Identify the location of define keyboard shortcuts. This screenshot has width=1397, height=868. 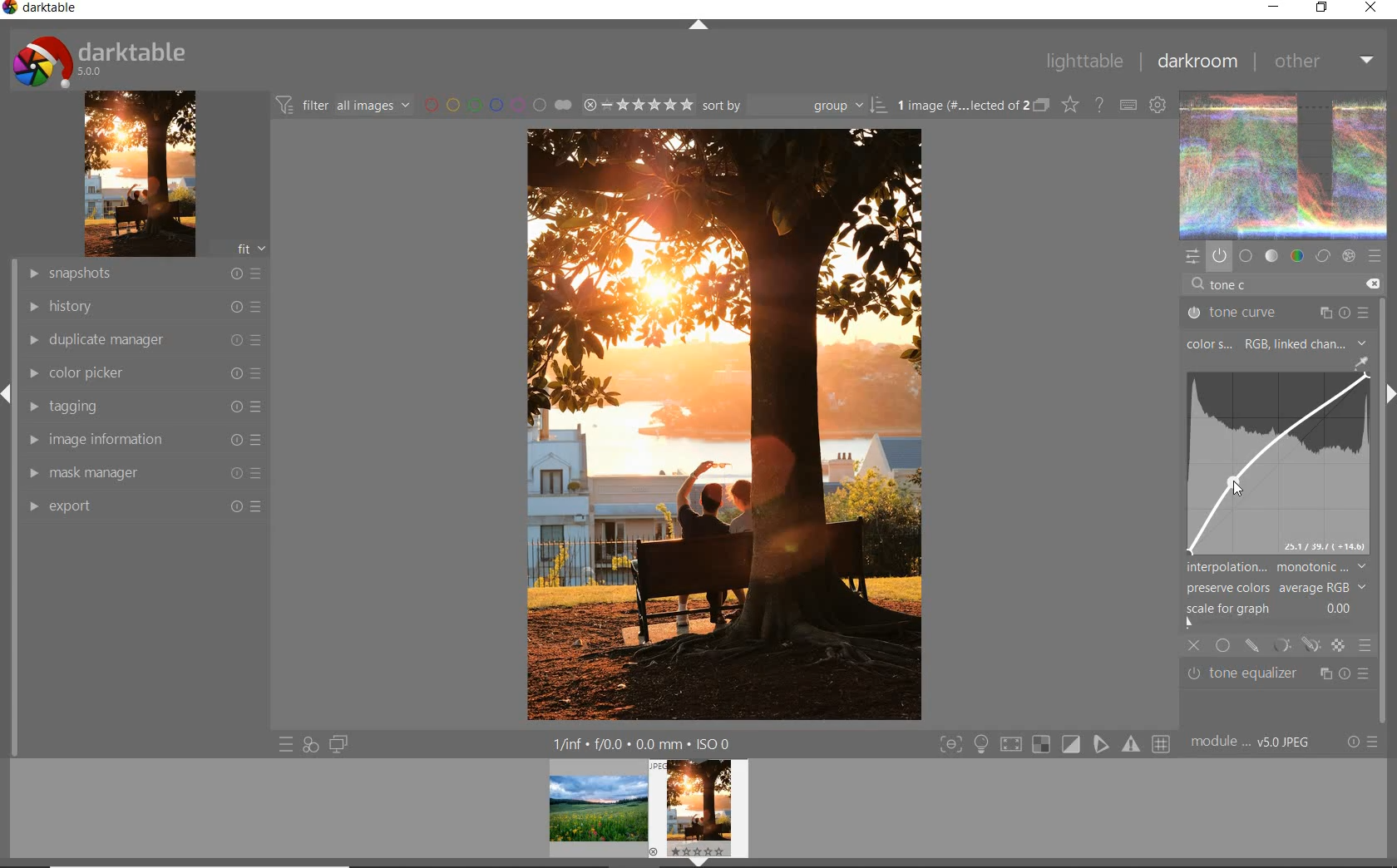
(1159, 104).